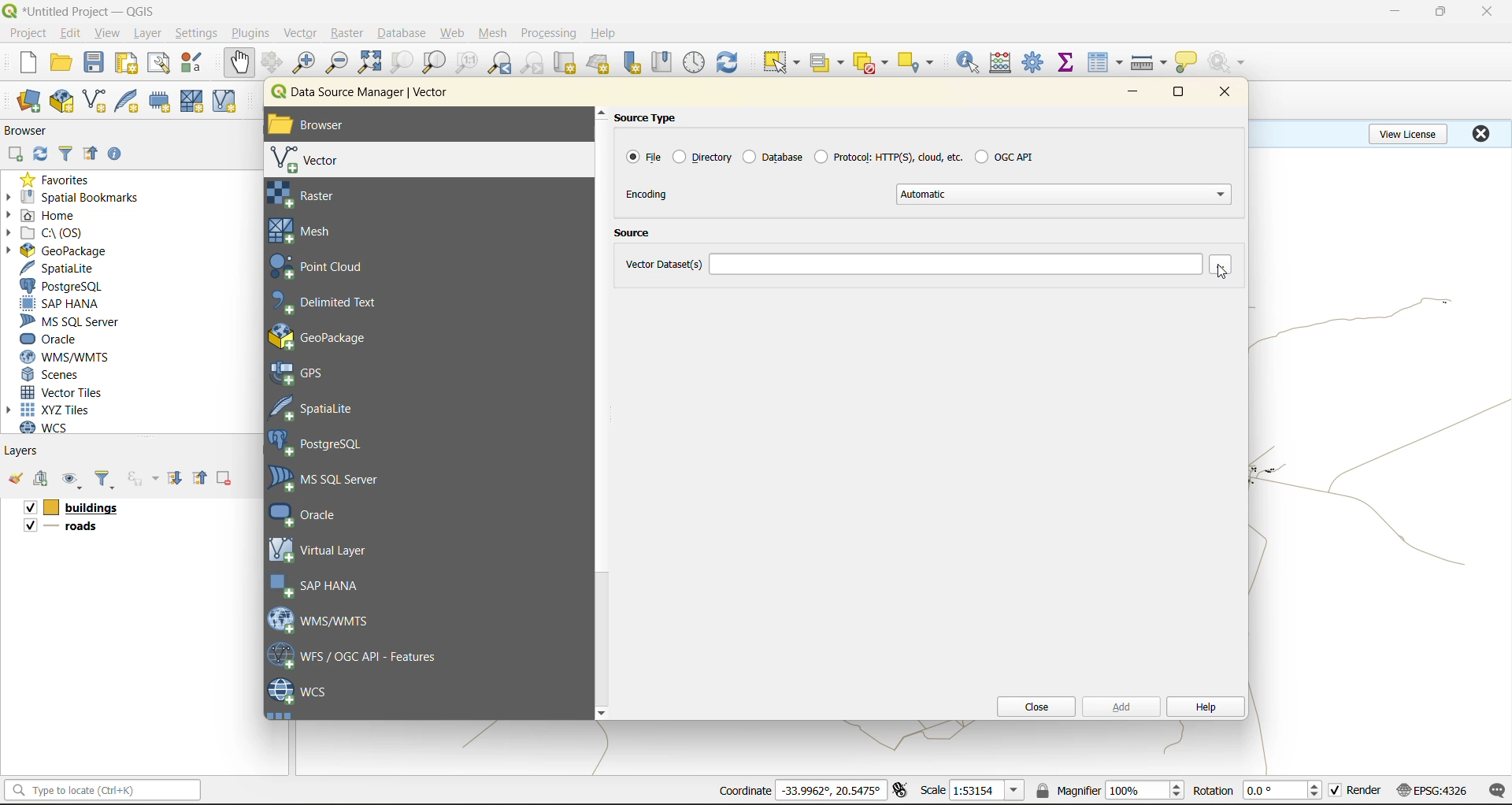 Image resolution: width=1512 pixels, height=805 pixels. I want to click on zoom last, so click(499, 63).